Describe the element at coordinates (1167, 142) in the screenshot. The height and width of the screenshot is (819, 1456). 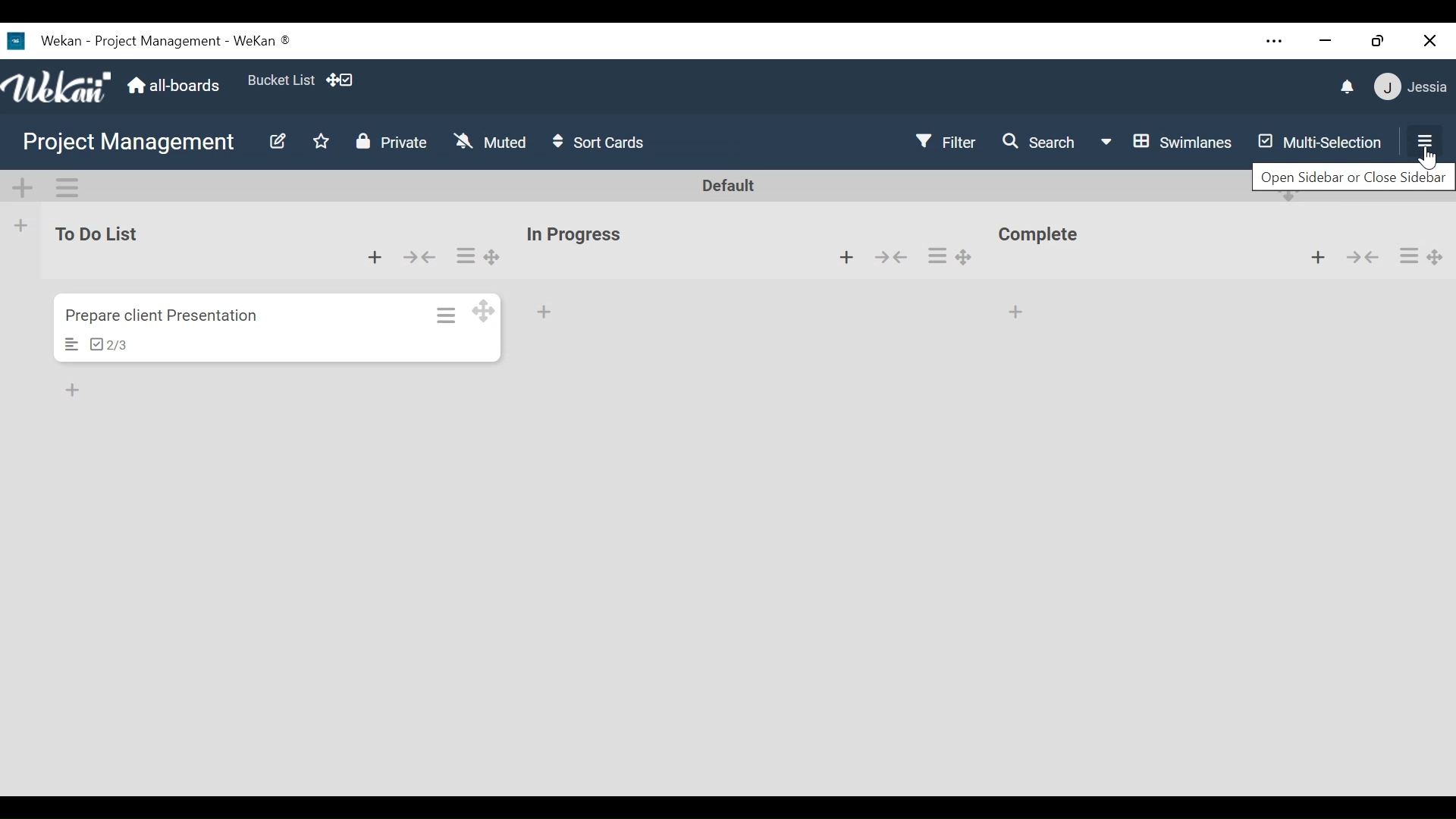
I see `Board view` at that location.